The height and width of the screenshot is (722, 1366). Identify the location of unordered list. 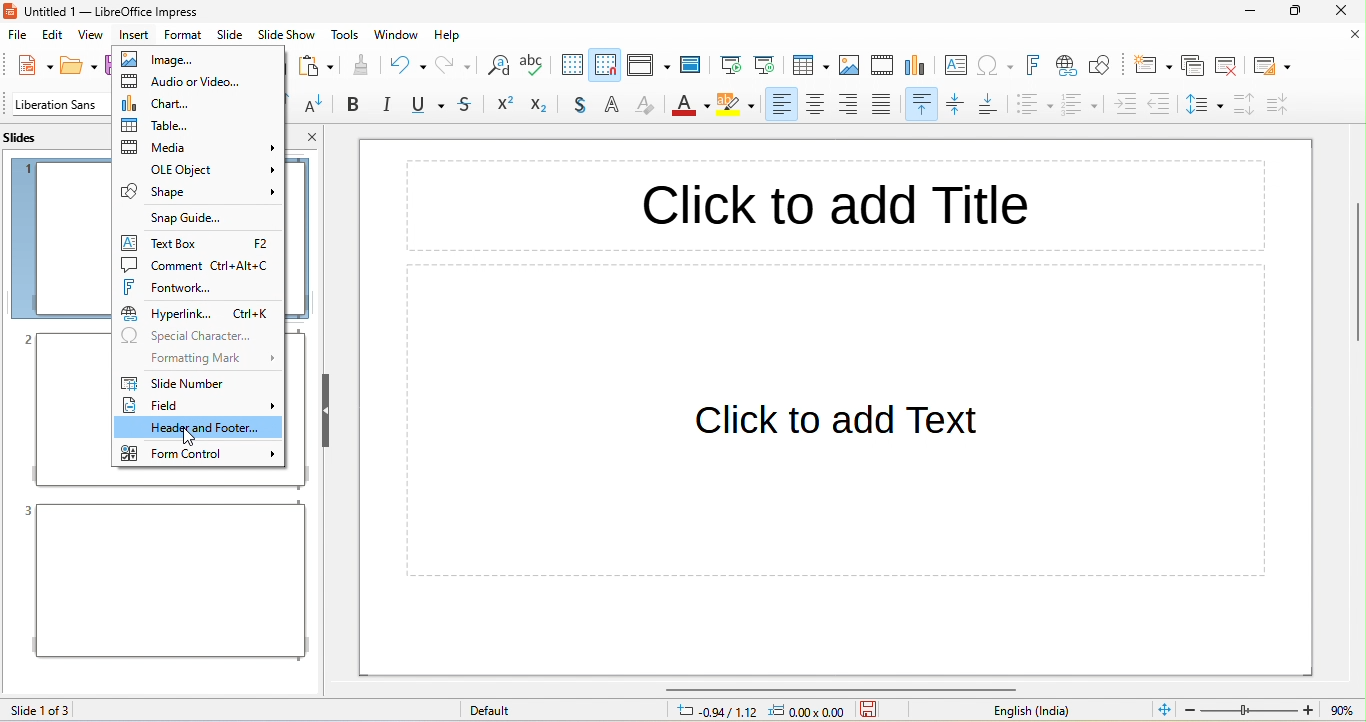
(1034, 107).